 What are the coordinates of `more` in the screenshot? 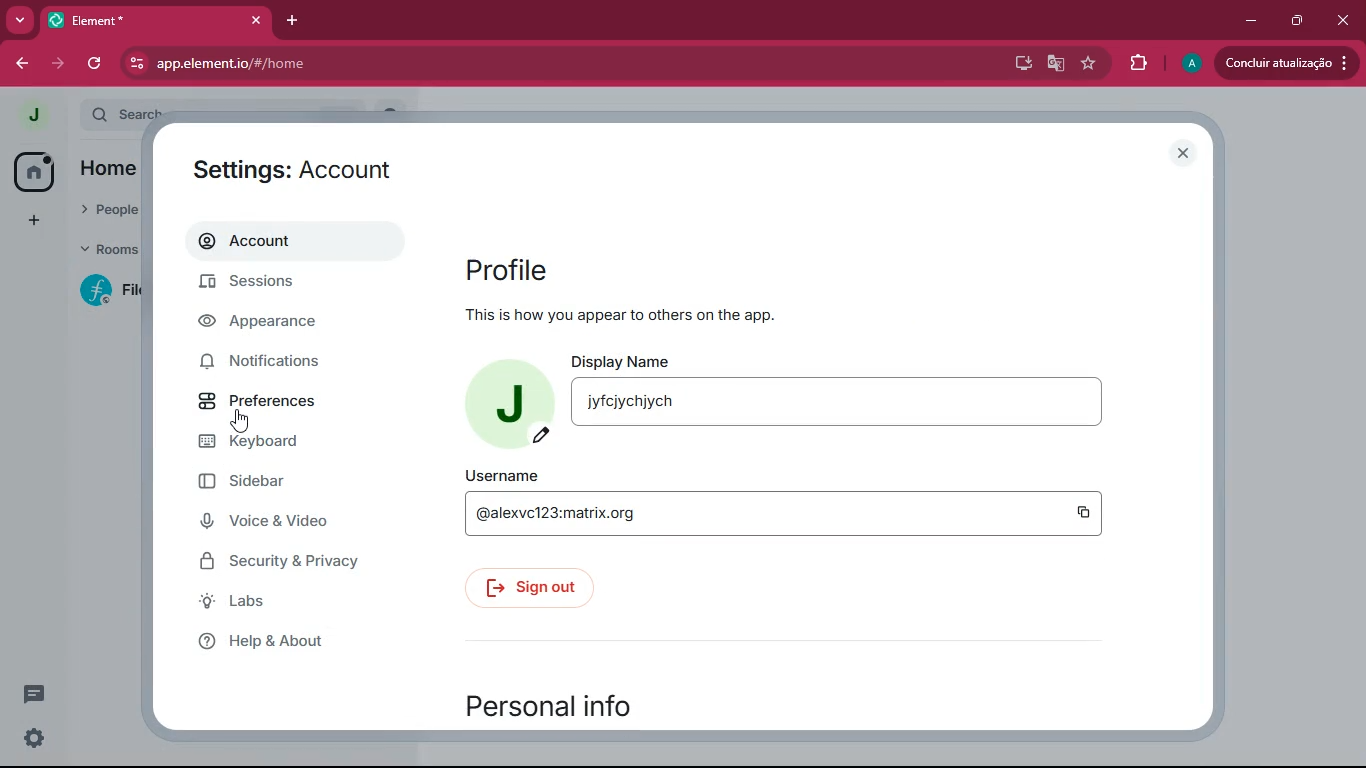 It's located at (18, 20).